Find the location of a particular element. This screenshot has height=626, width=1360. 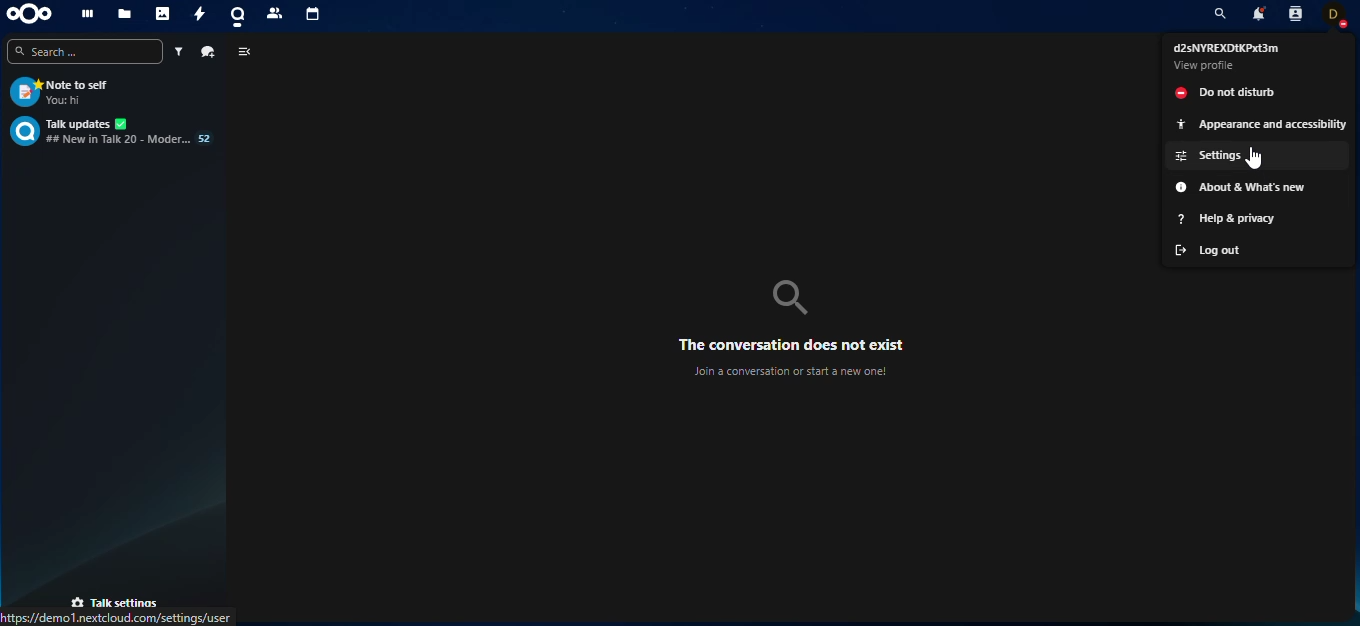

talk settings is located at coordinates (116, 601).